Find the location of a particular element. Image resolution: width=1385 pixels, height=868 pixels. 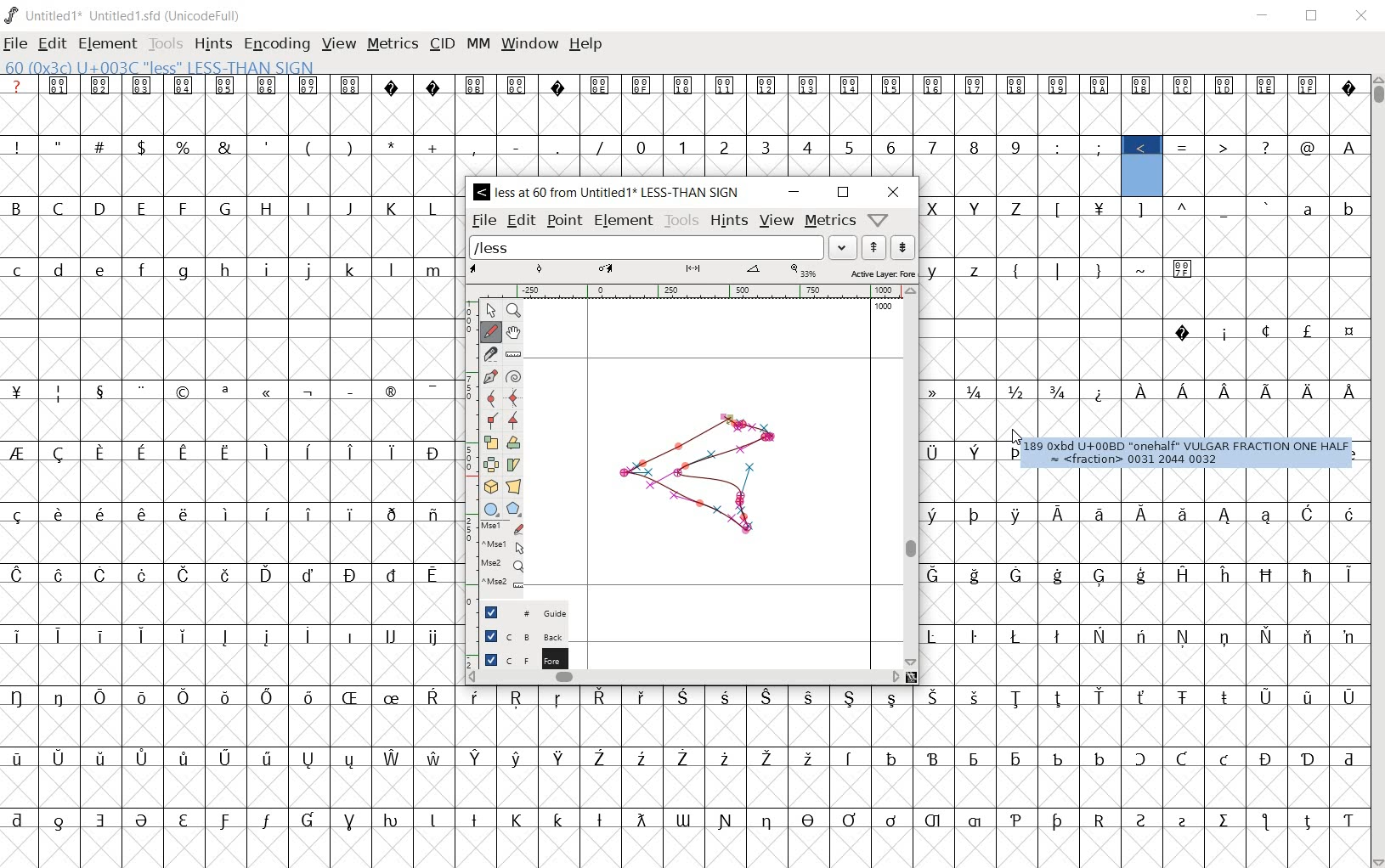

skew the selection is located at coordinates (515, 463).